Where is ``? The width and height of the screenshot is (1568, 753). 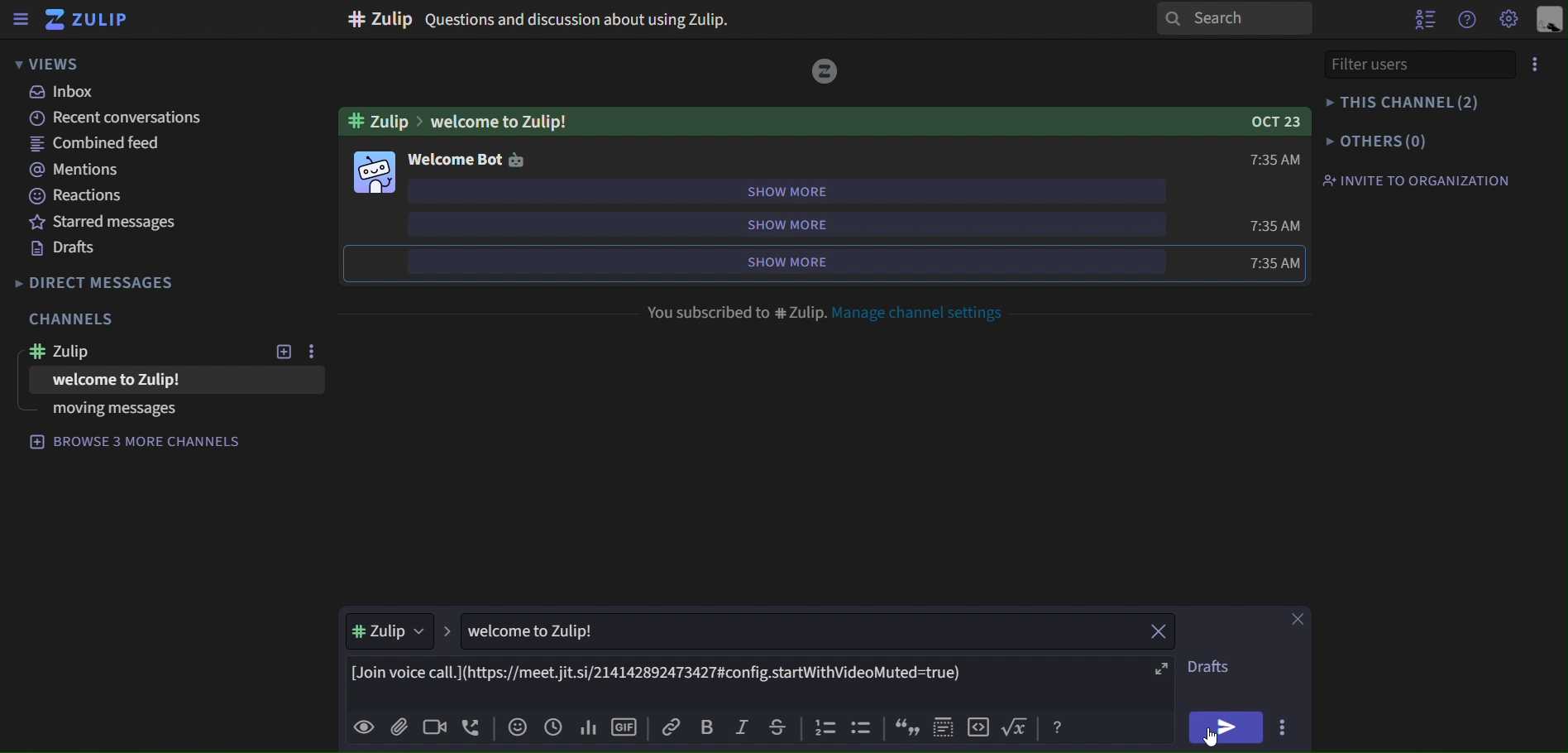  is located at coordinates (1016, 727).